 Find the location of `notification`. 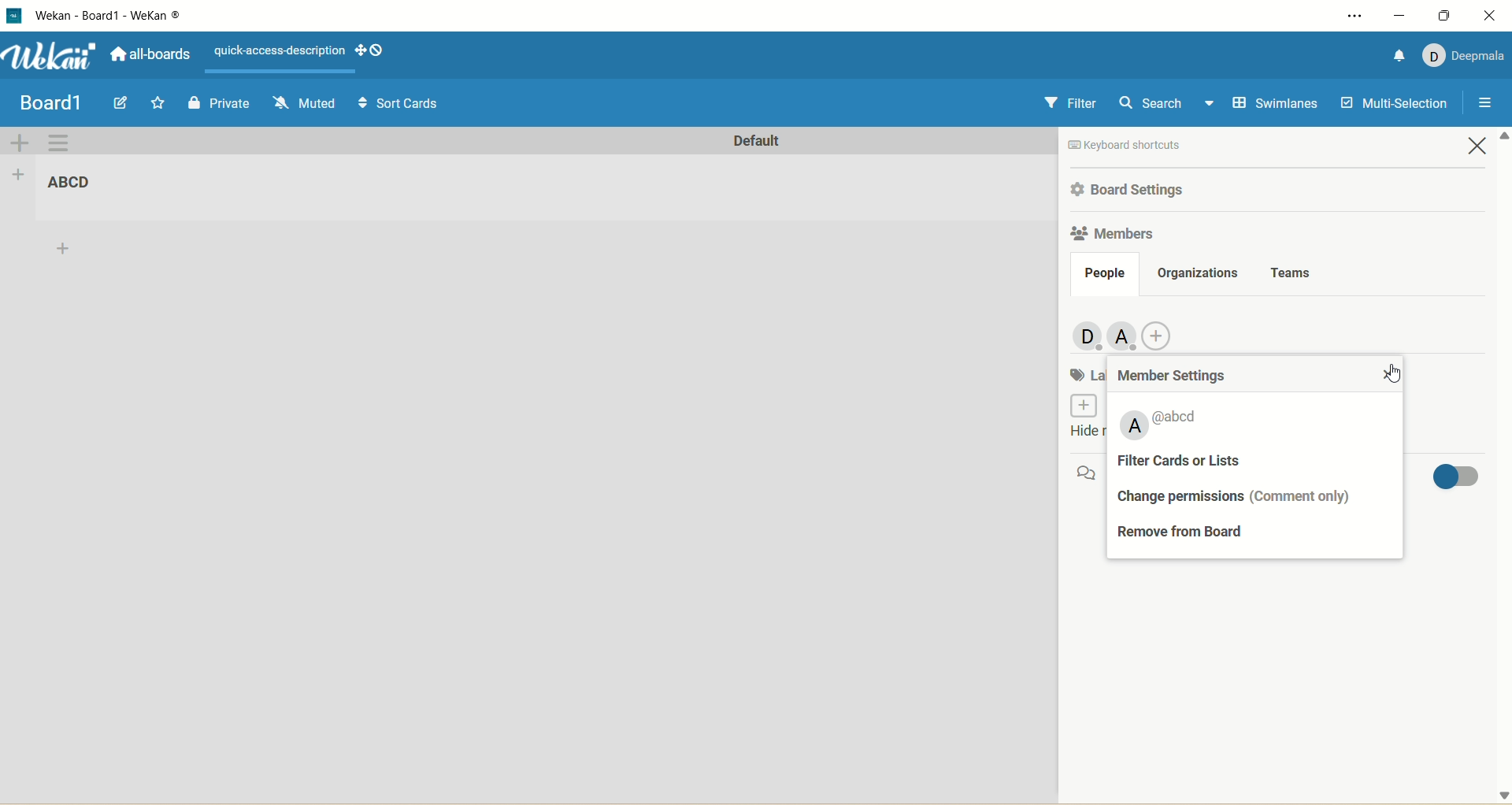

notification is located at coordinates (1396, 54).